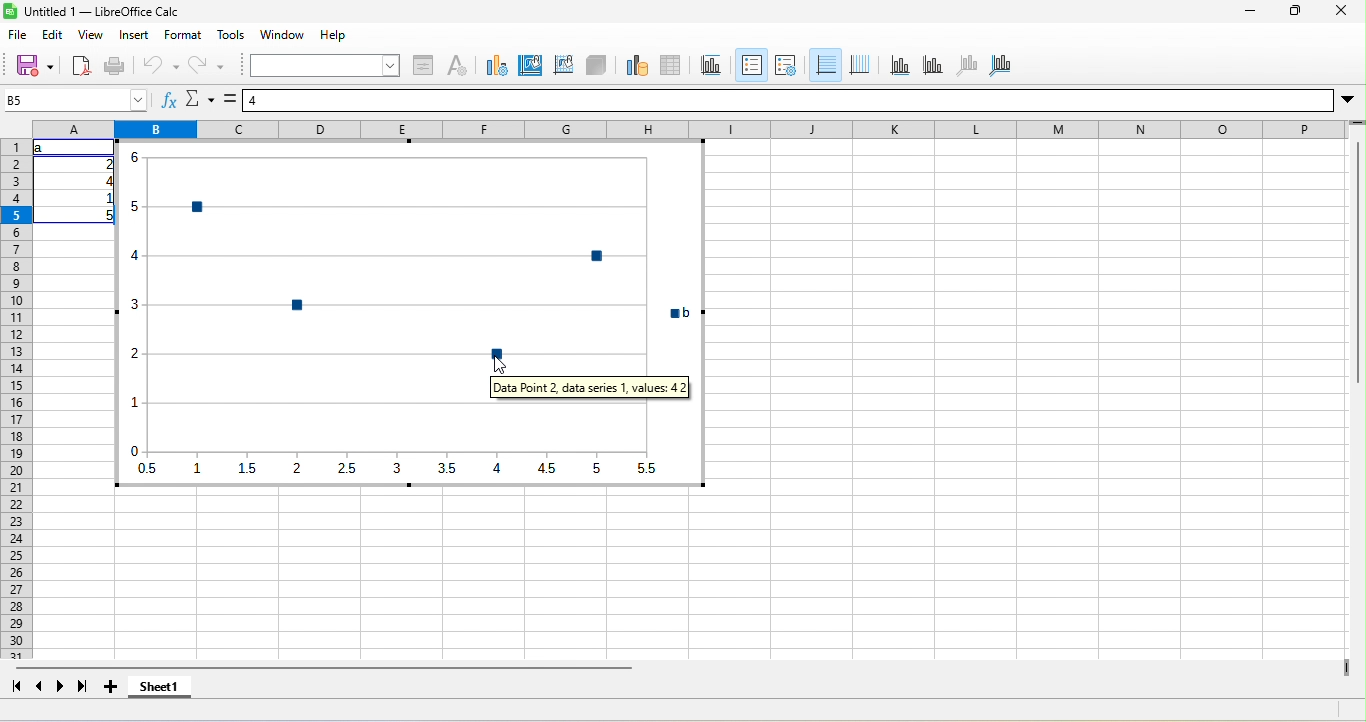  I want to click on previous sheet, so click(40, 686).